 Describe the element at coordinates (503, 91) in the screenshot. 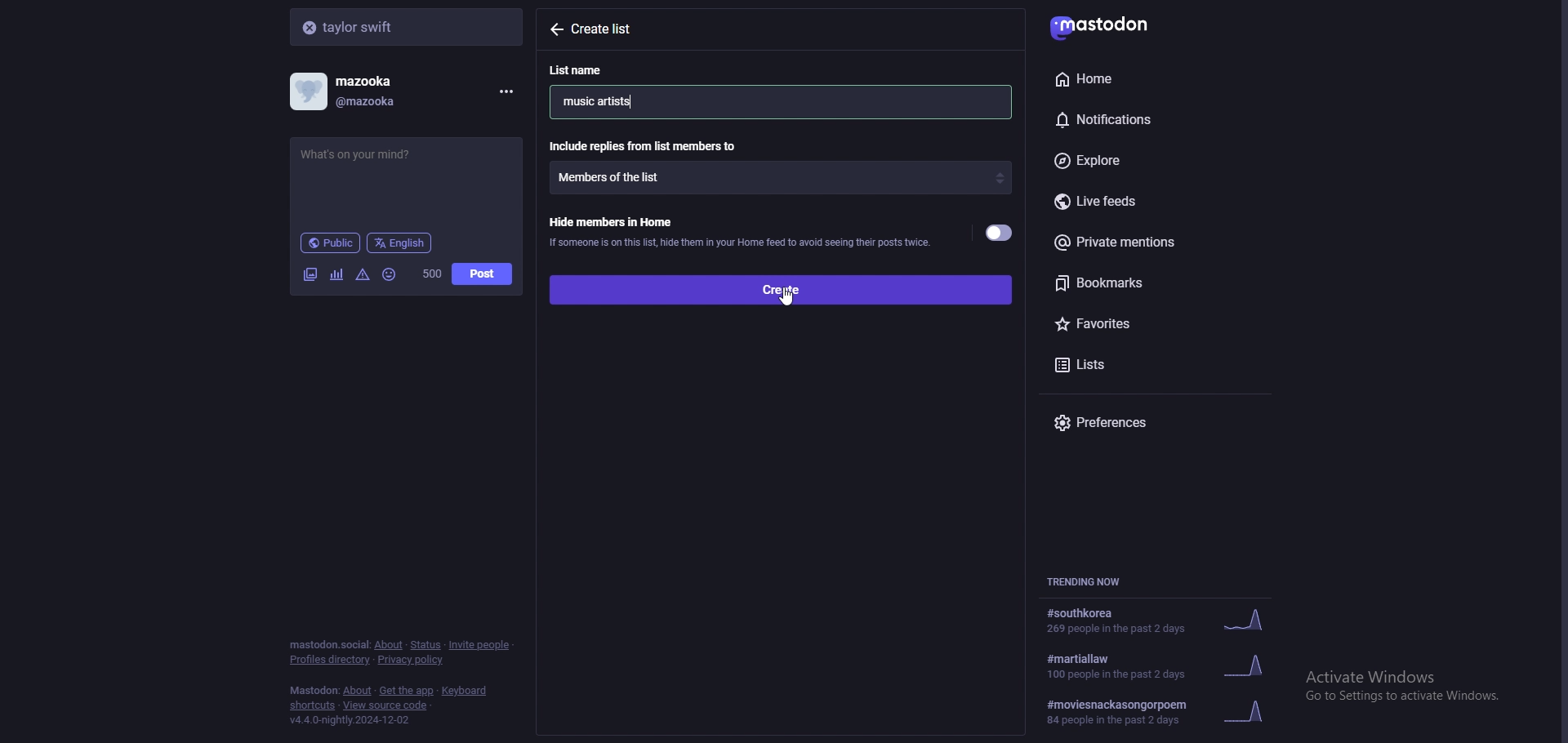

I see `menu` at that location.